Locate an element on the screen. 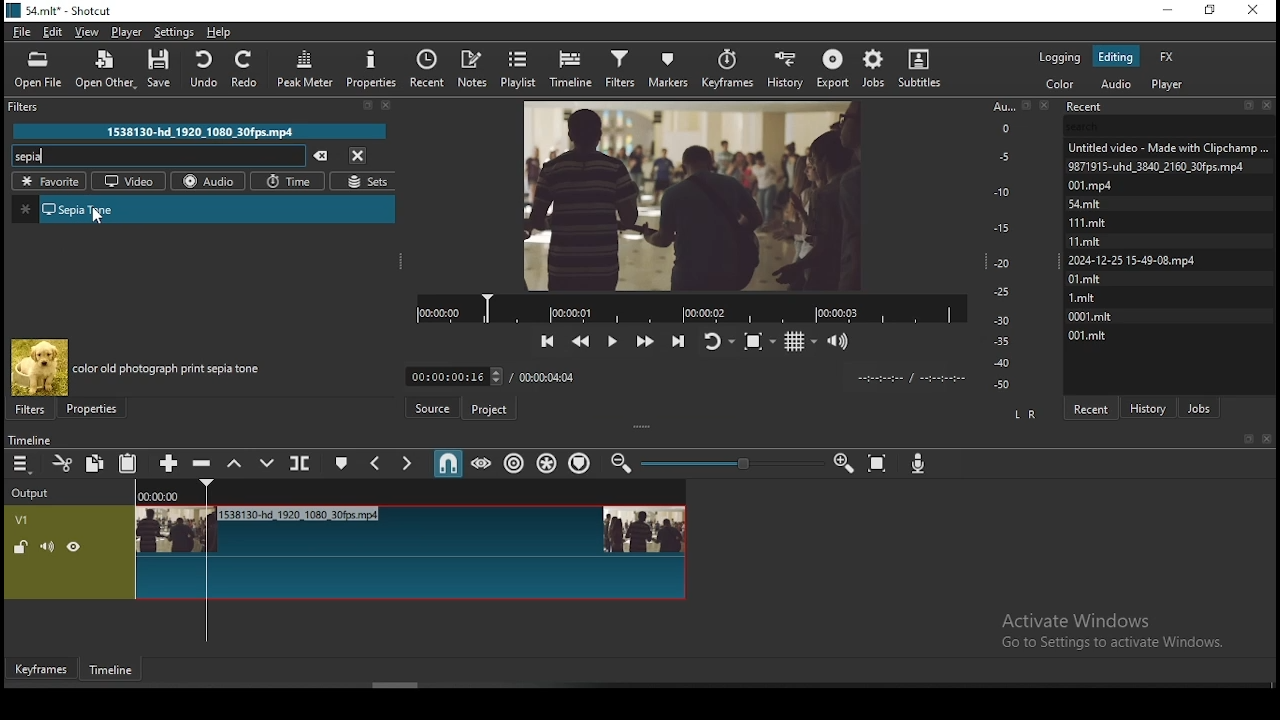 This screenshot has width=1280, height=720. Output is located at coordinates (36, 491).